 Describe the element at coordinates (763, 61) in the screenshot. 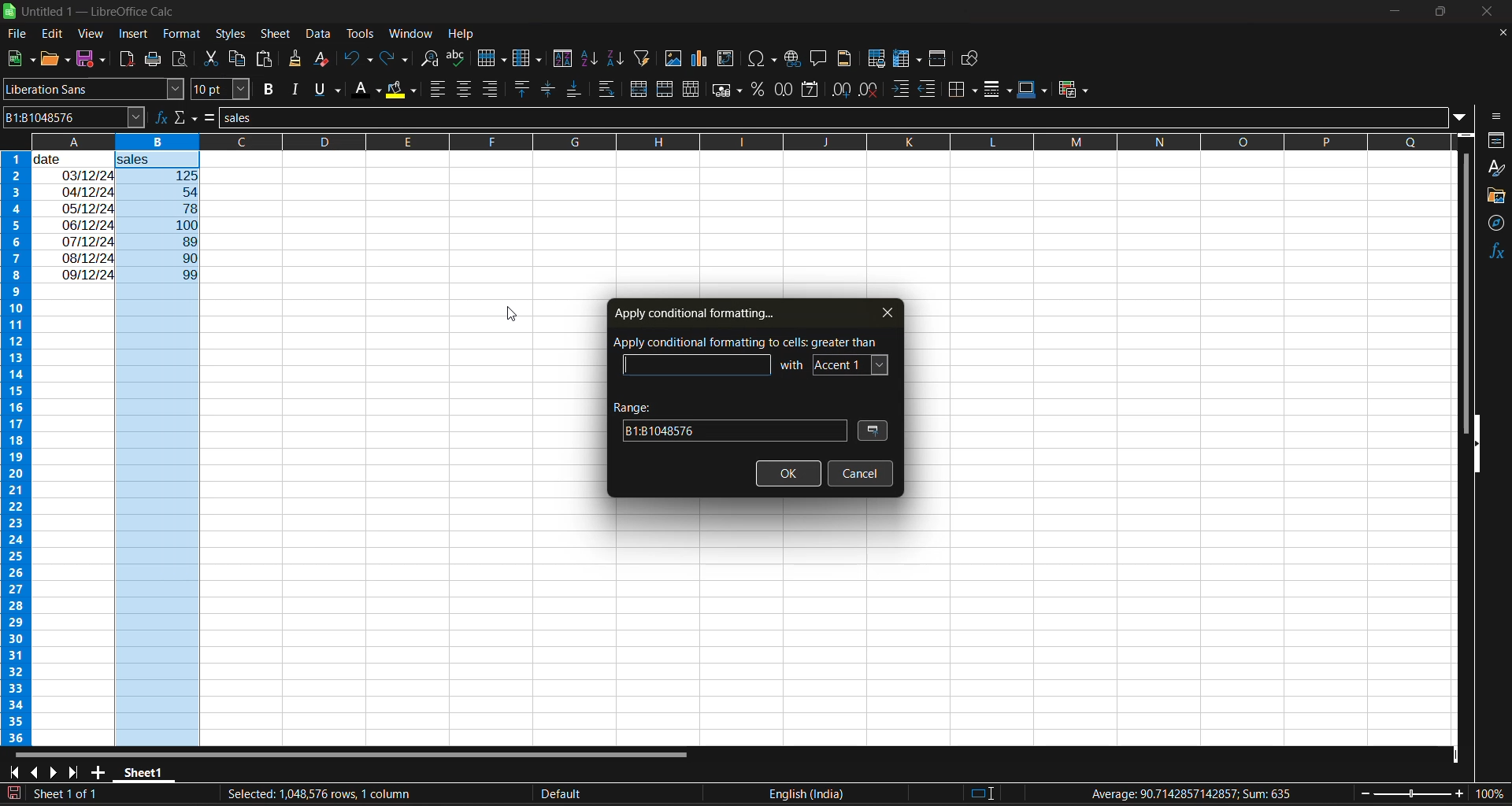

I see `insert special characters` at that location.